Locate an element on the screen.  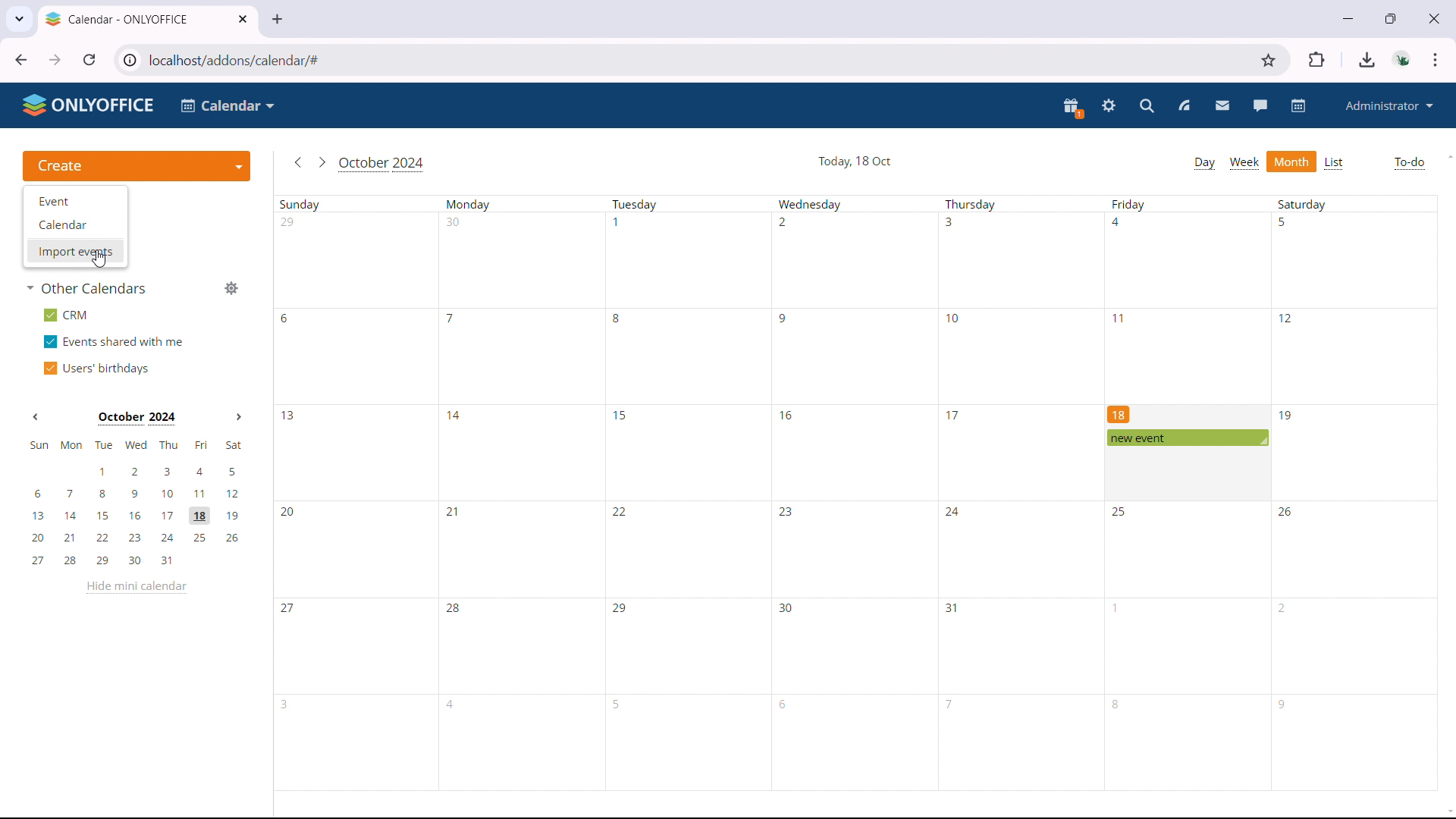
9 is located at coordinates (1282, 705).